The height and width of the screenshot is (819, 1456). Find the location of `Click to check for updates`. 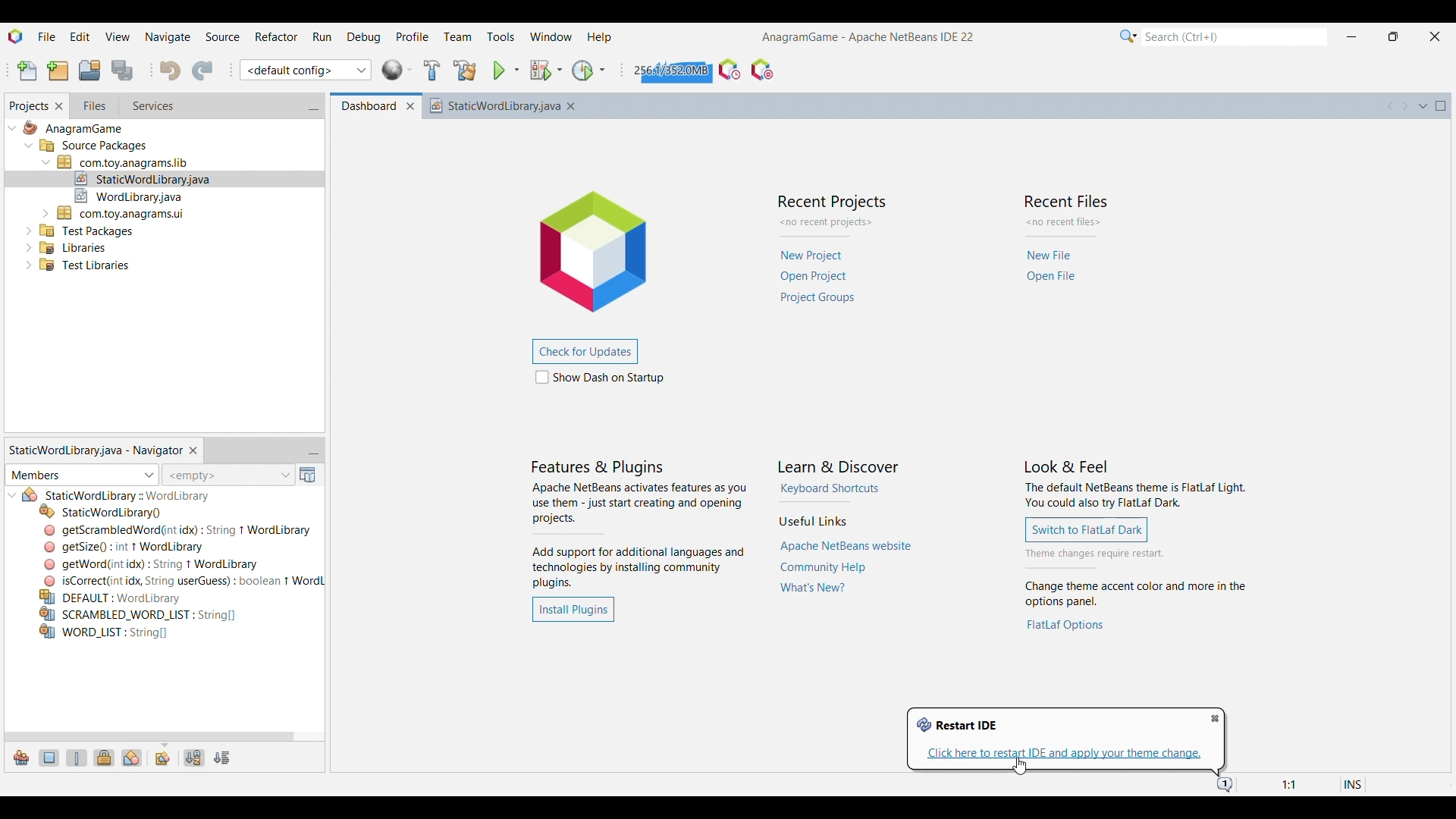

Click to check for updates is located at coordinates (584, 352).